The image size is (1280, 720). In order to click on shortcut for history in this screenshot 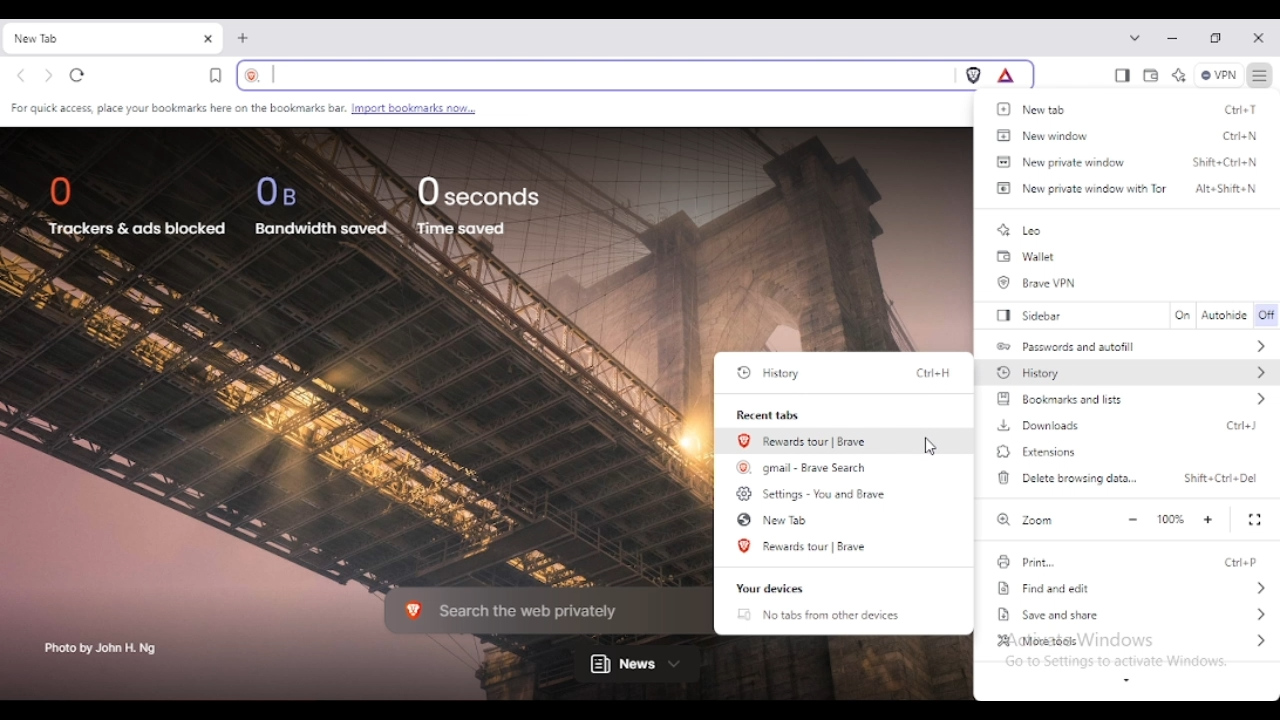, I will do `click(933, 373)`.